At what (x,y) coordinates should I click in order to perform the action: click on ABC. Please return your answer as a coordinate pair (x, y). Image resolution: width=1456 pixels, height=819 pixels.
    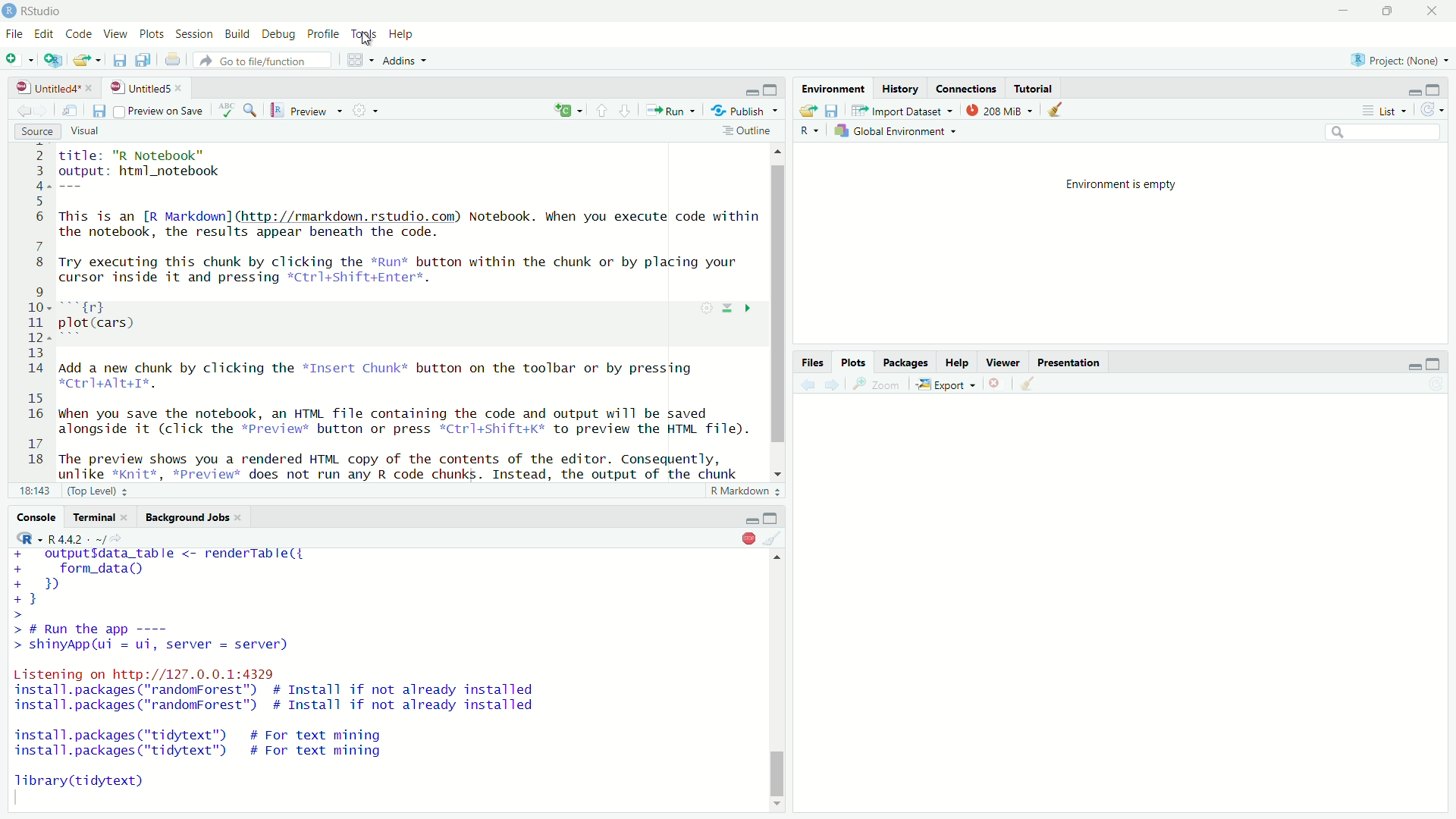
    Looking at the image, I should click on (237, 110).